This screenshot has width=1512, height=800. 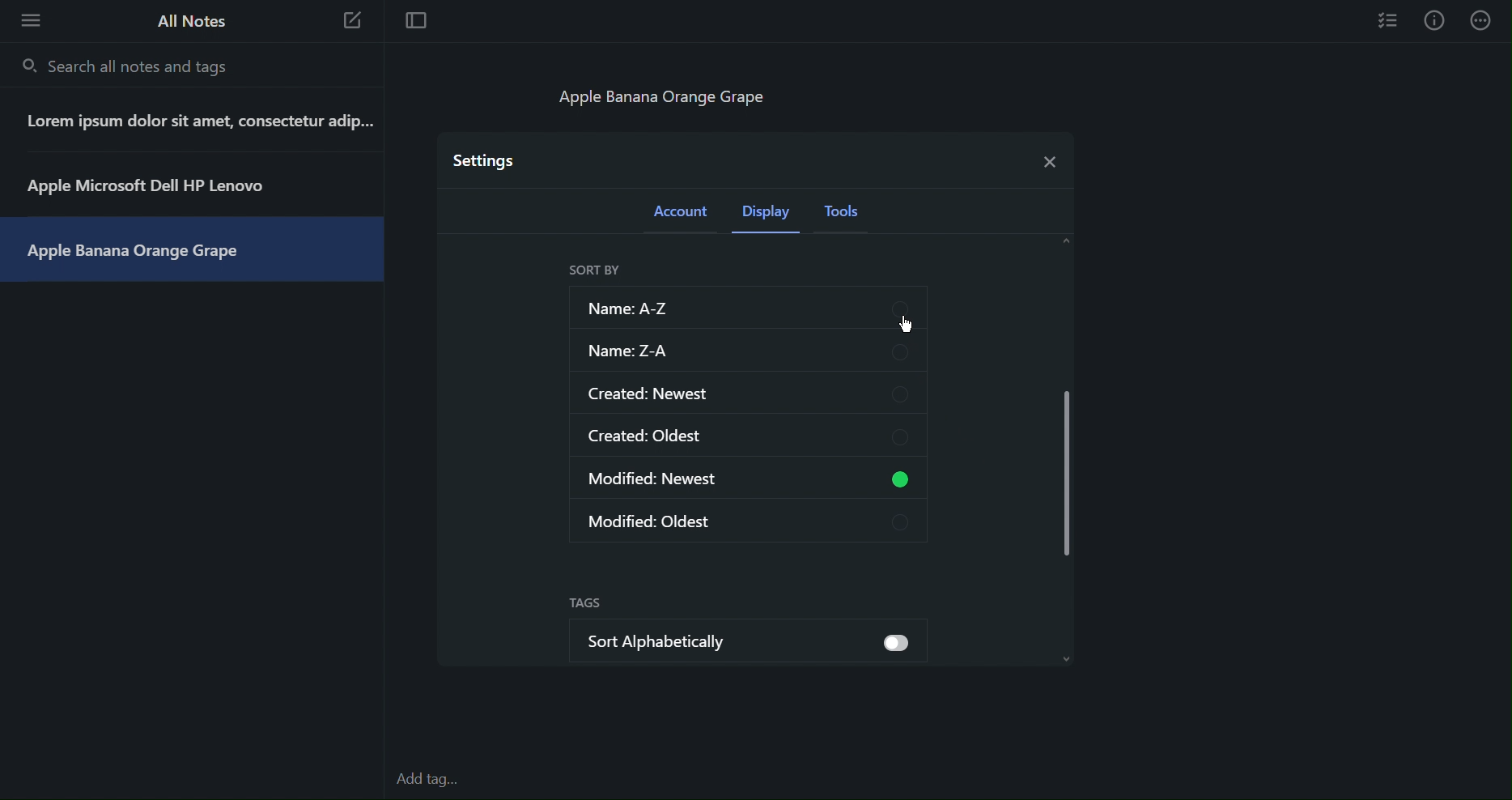 What do you see at coordinates (189, 21) in the screenshot?
I see `All Notes` at bounding box center [189, 21].